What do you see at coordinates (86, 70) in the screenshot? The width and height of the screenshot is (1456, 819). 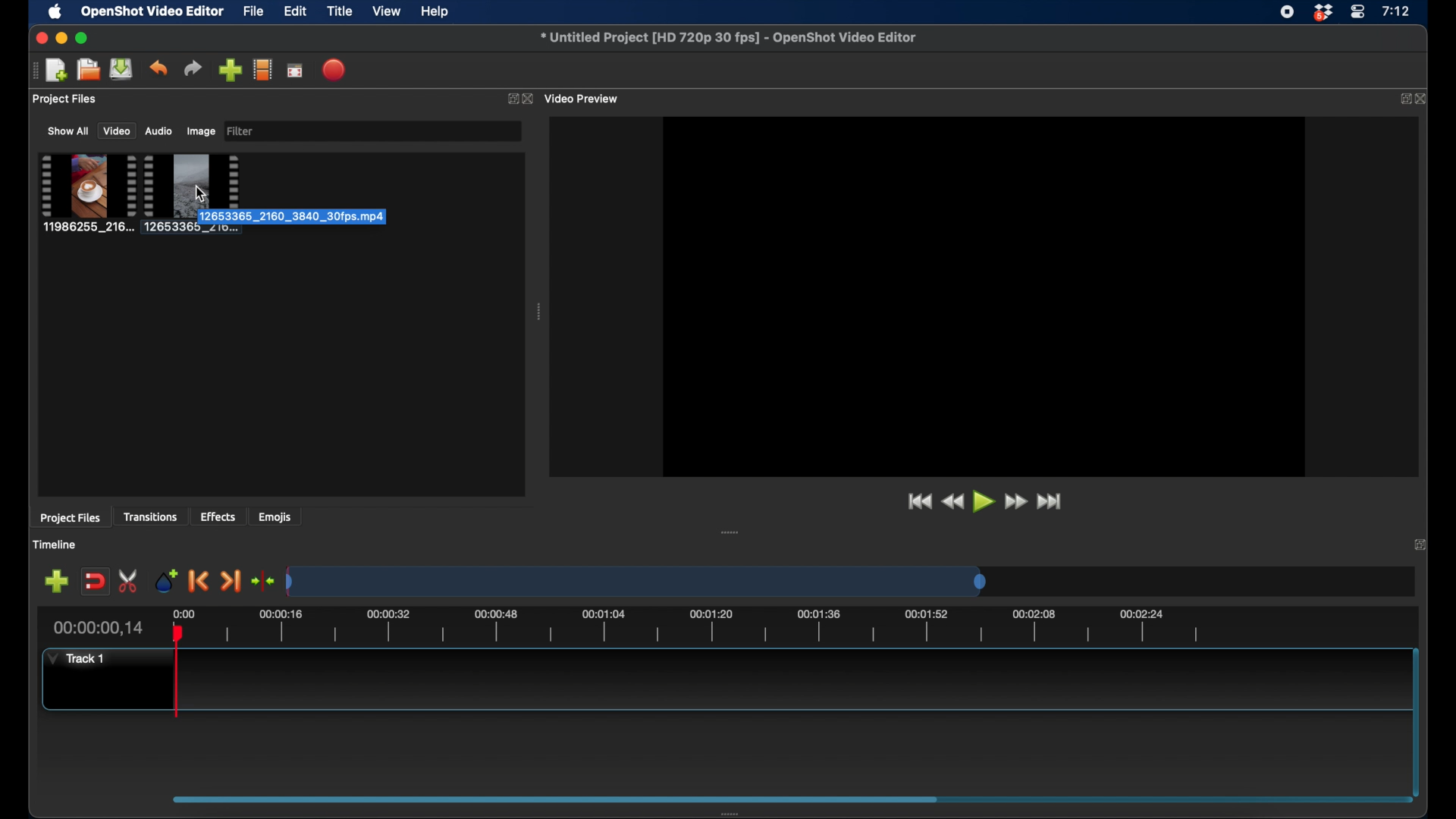 I see `open project` at bounding box center [86, 70].